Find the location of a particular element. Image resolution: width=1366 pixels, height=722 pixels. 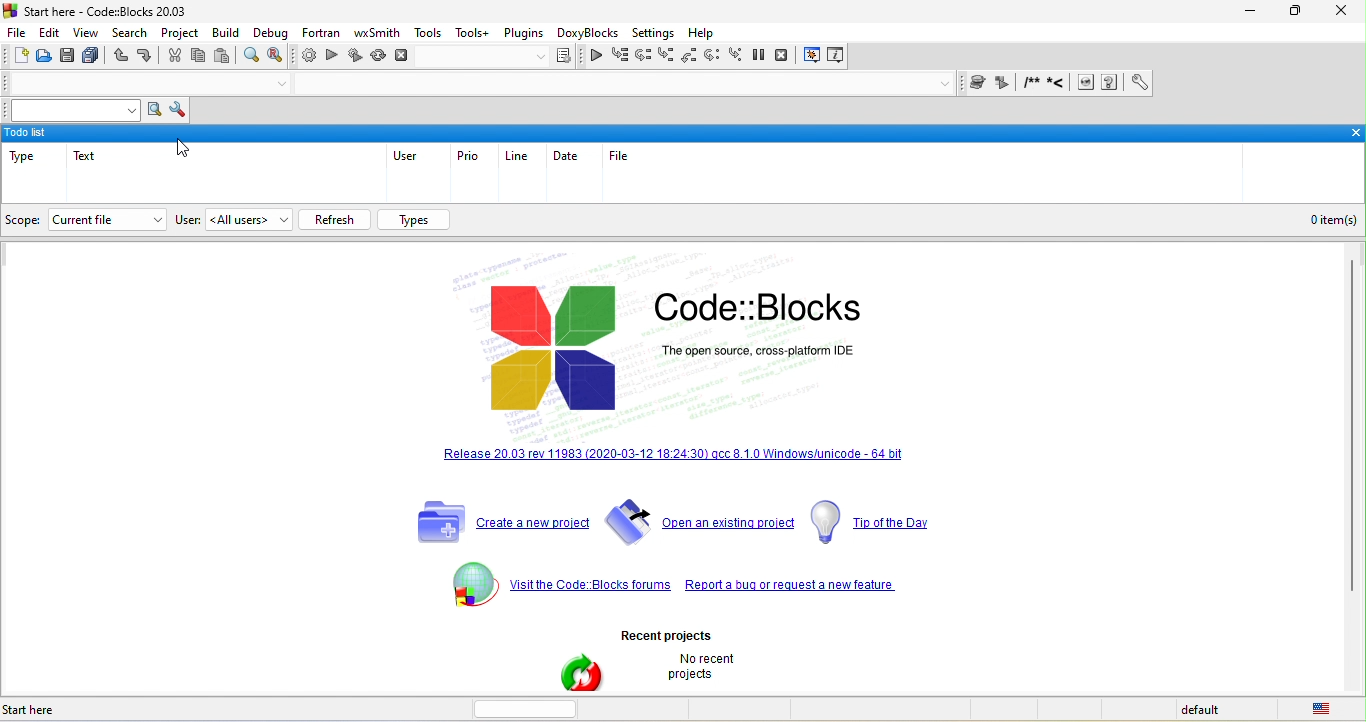

united state is located at coordinates (1326, 710).